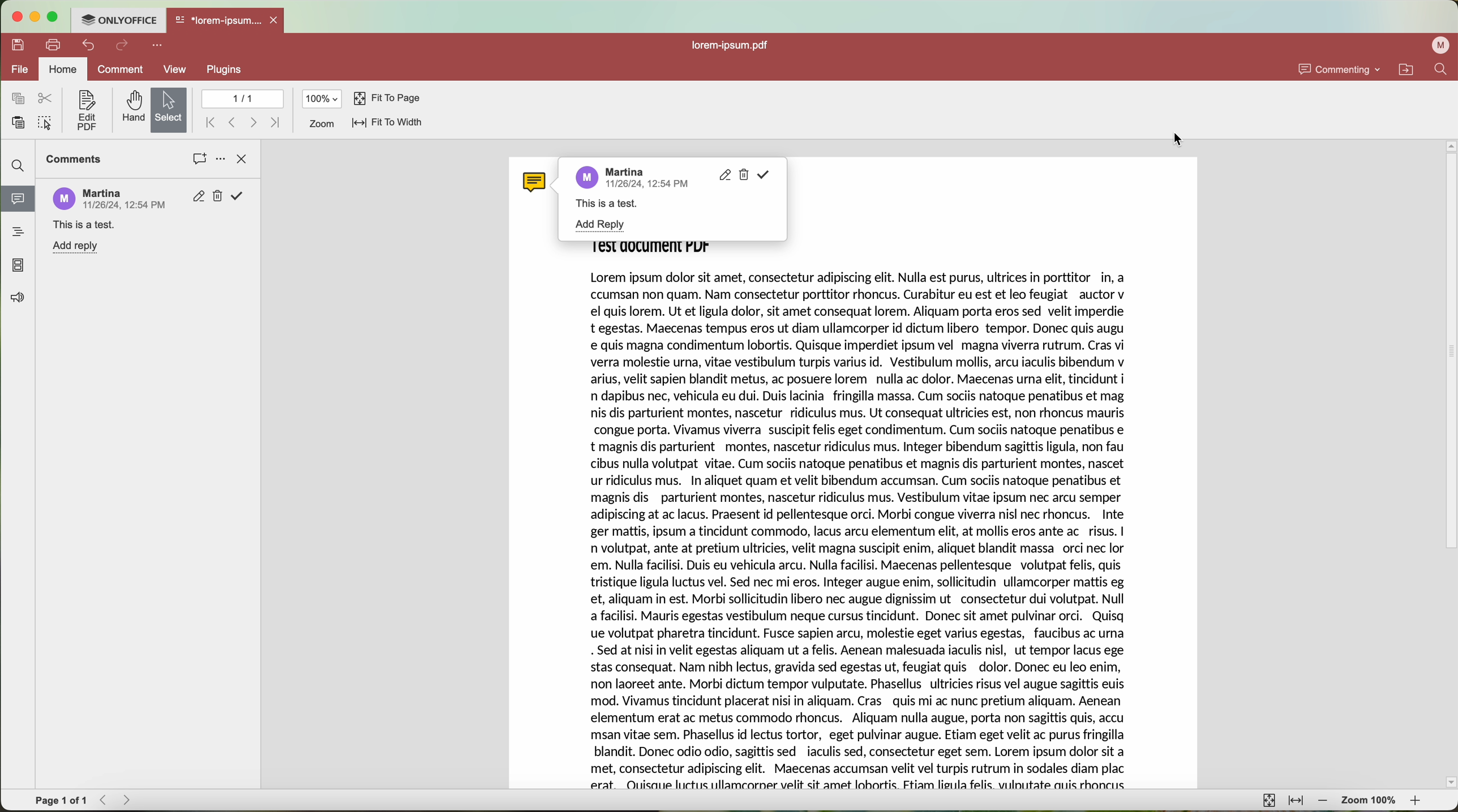  I want to click on zoom, so click(321, 124).